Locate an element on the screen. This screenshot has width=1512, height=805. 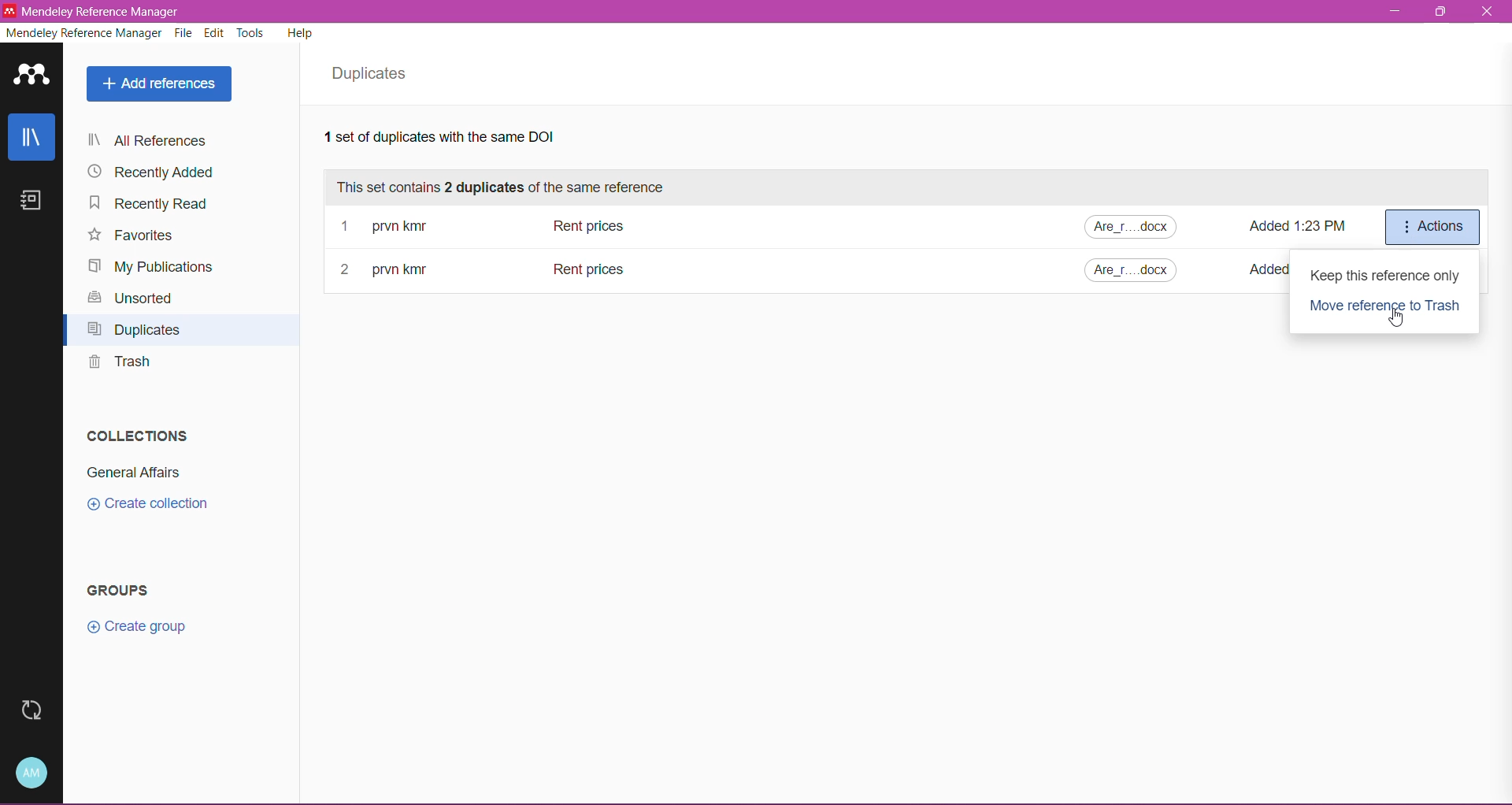
All References is located at coordinates (176, 142).